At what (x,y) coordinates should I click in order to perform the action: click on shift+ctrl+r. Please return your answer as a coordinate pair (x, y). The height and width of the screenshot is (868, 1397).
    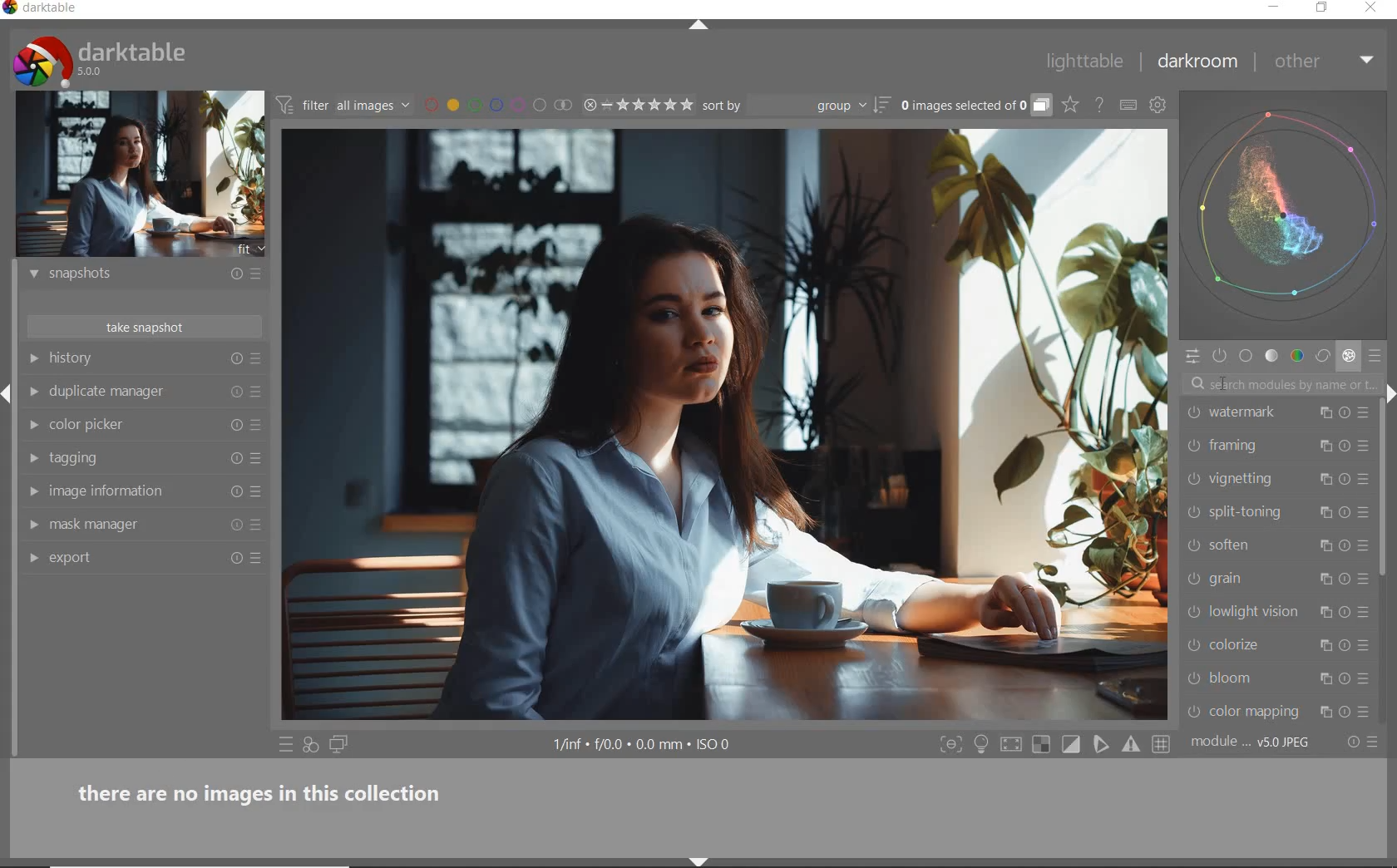
    Looking at the image, I should click on (1389, 392).